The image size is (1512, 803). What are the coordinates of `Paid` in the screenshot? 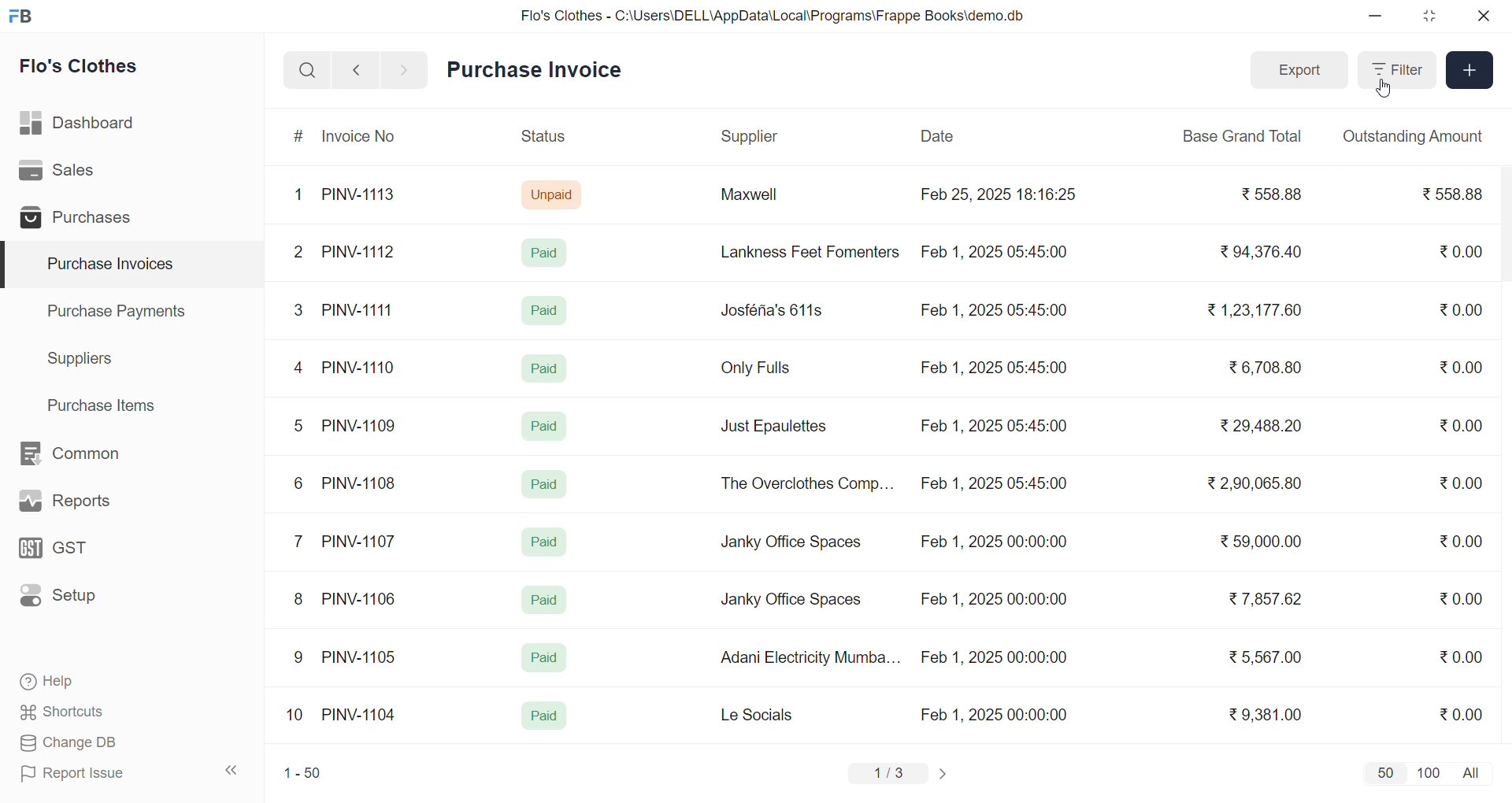 It's located at (543, 658).